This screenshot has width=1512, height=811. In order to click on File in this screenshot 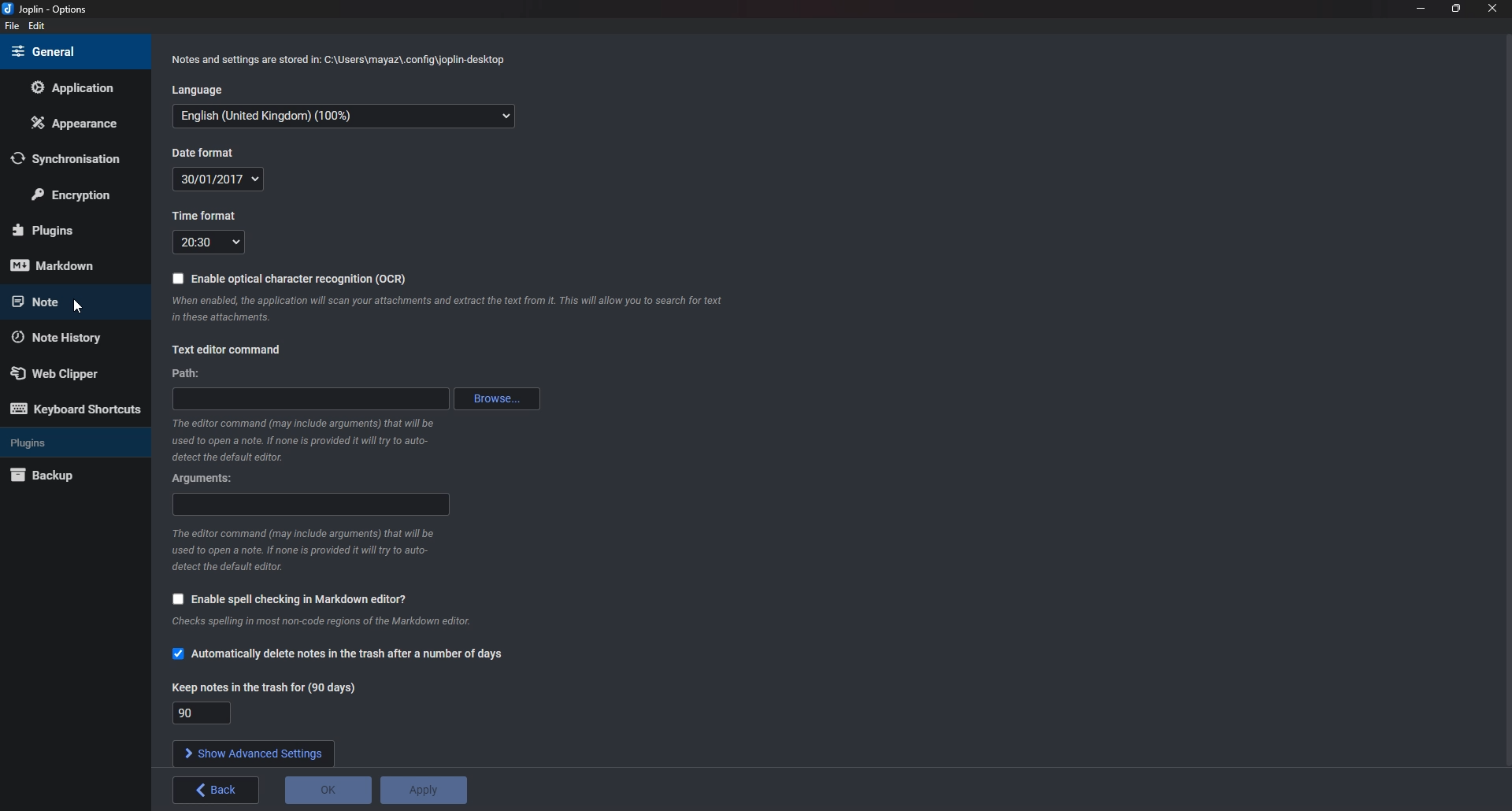, I will do `click(12, 27)`.